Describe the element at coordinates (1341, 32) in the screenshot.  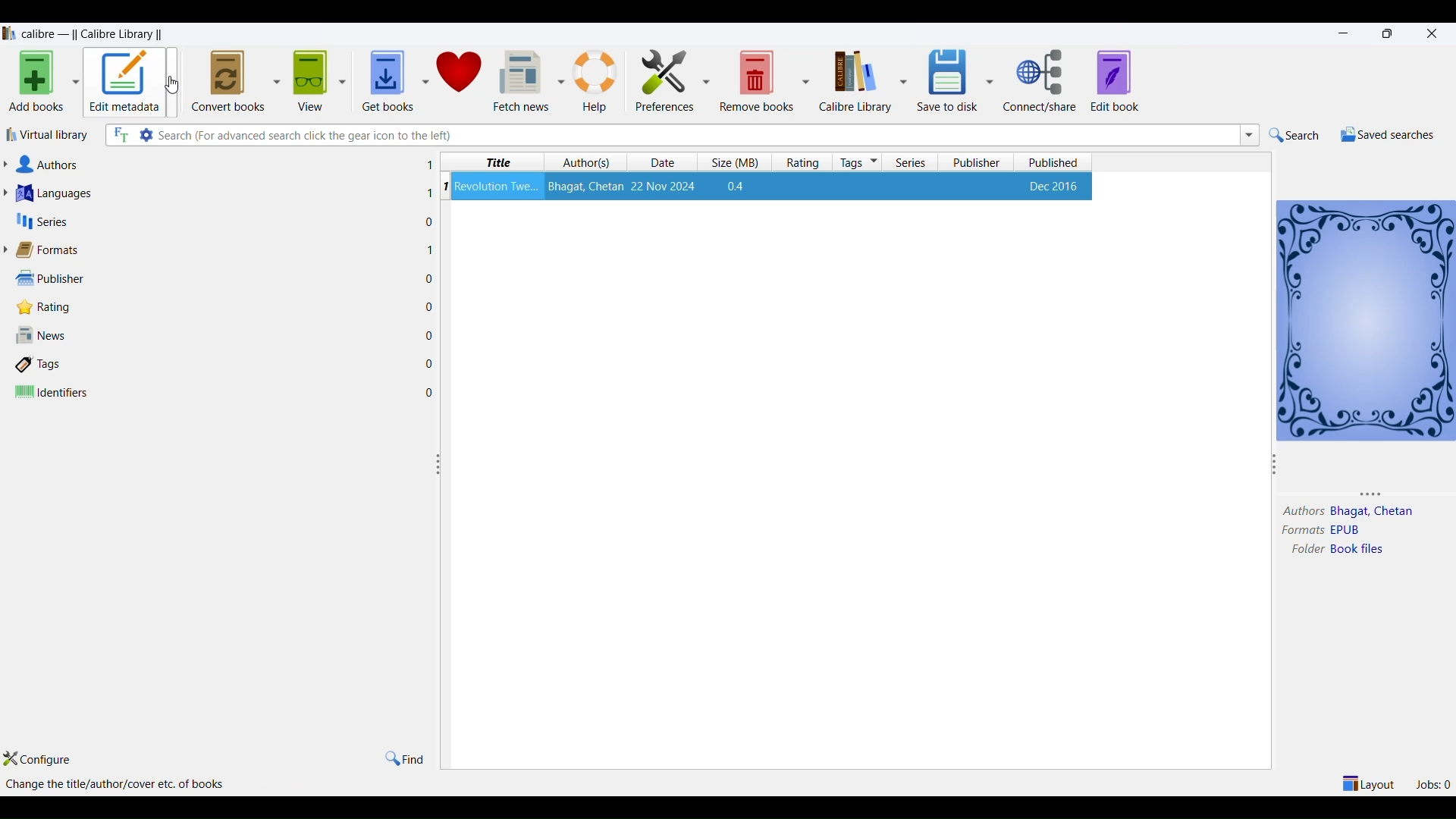
I see `minimize` at that location.